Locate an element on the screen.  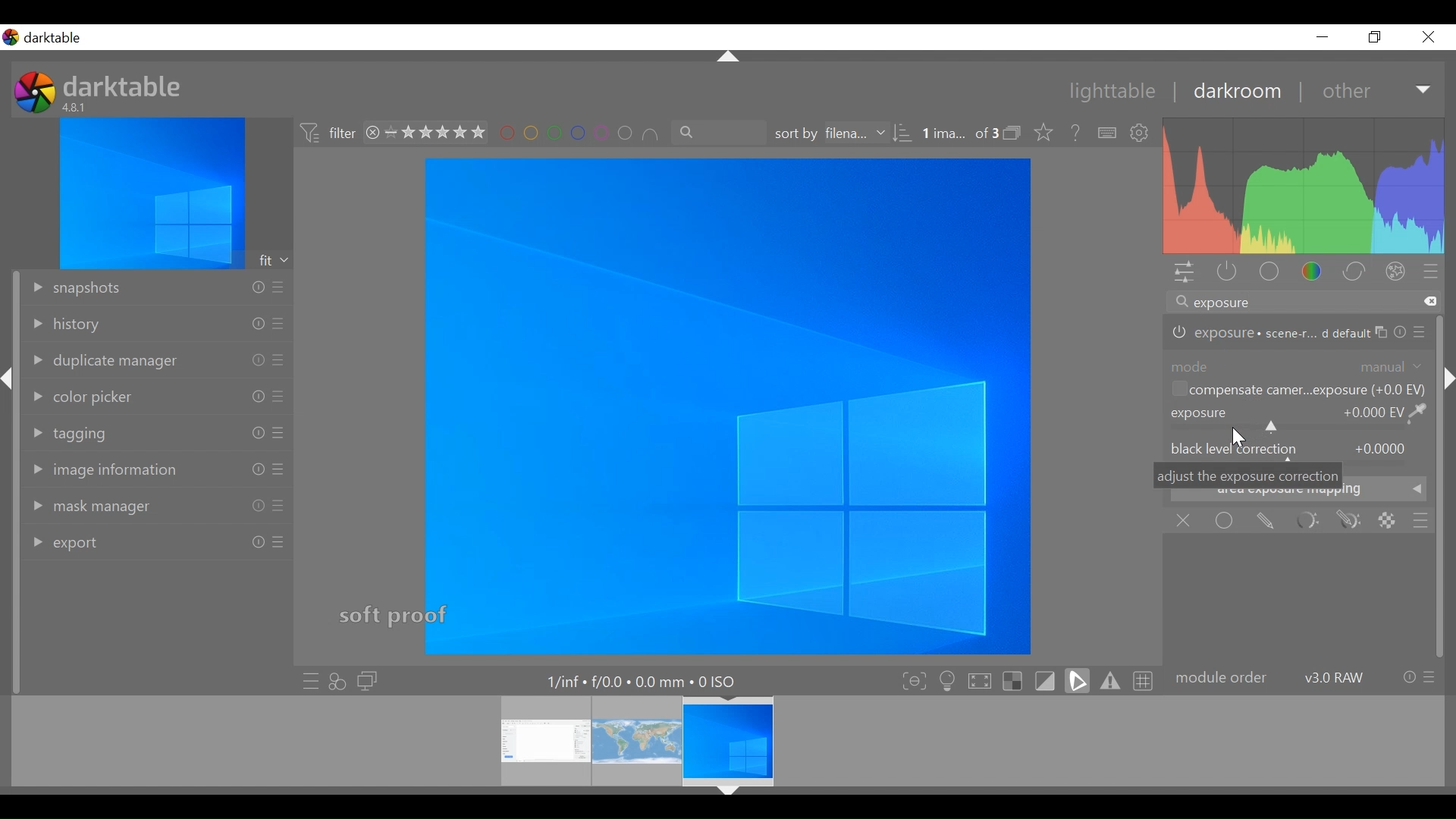
presets is located at coordinates (1430, 677).